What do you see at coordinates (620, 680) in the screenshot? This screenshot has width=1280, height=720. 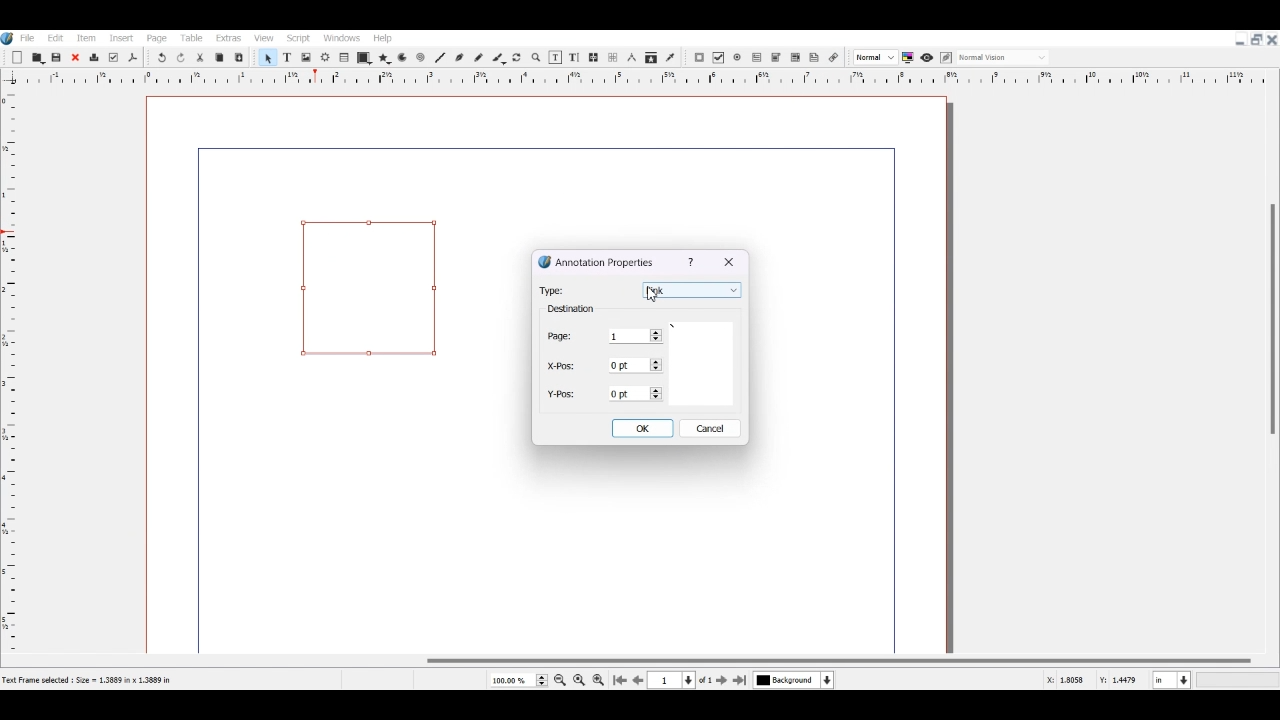 I see `Go to First Page` at bounding box center [620, 680].